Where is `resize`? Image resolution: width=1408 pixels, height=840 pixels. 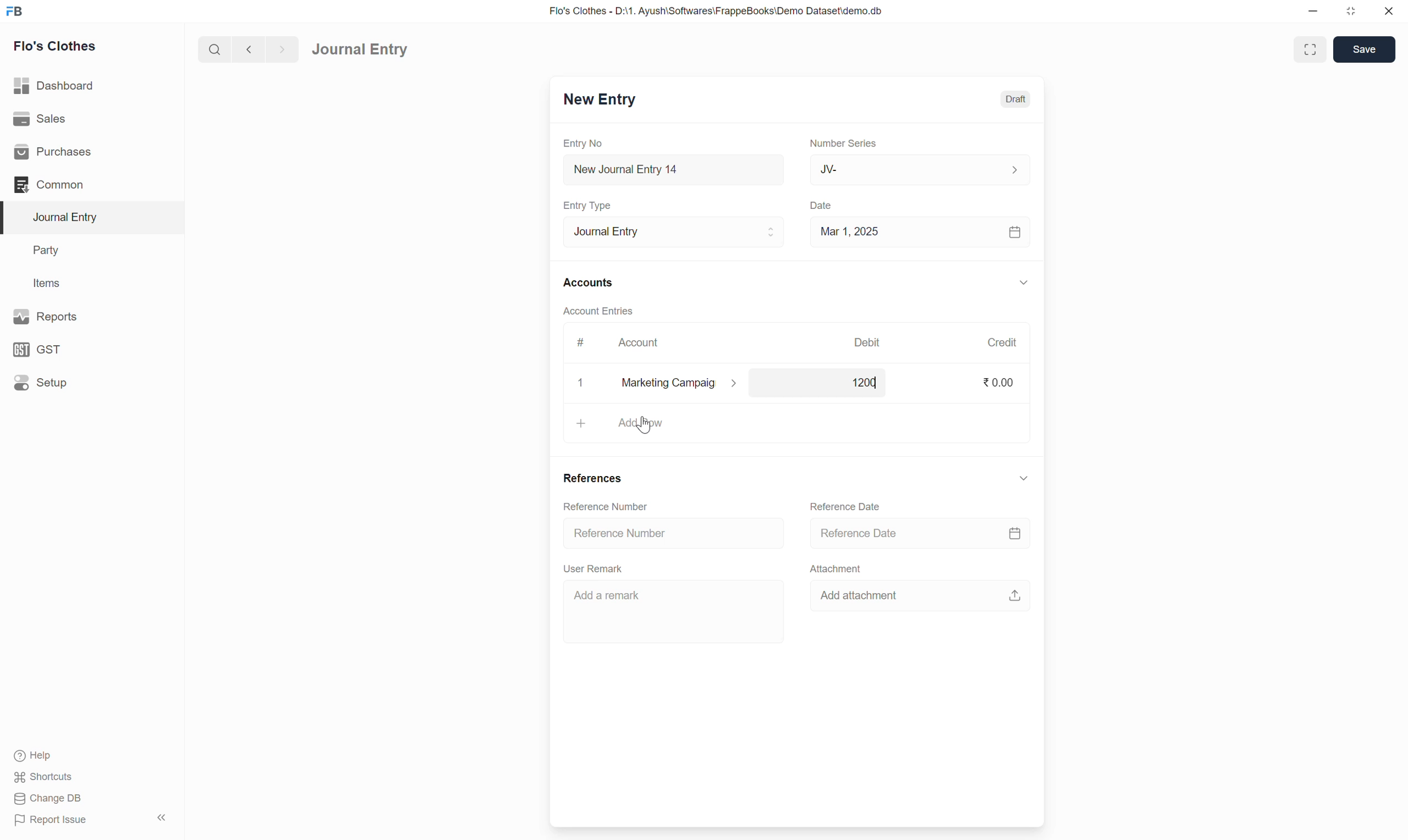
resize is located at coordinates (1349, 11).